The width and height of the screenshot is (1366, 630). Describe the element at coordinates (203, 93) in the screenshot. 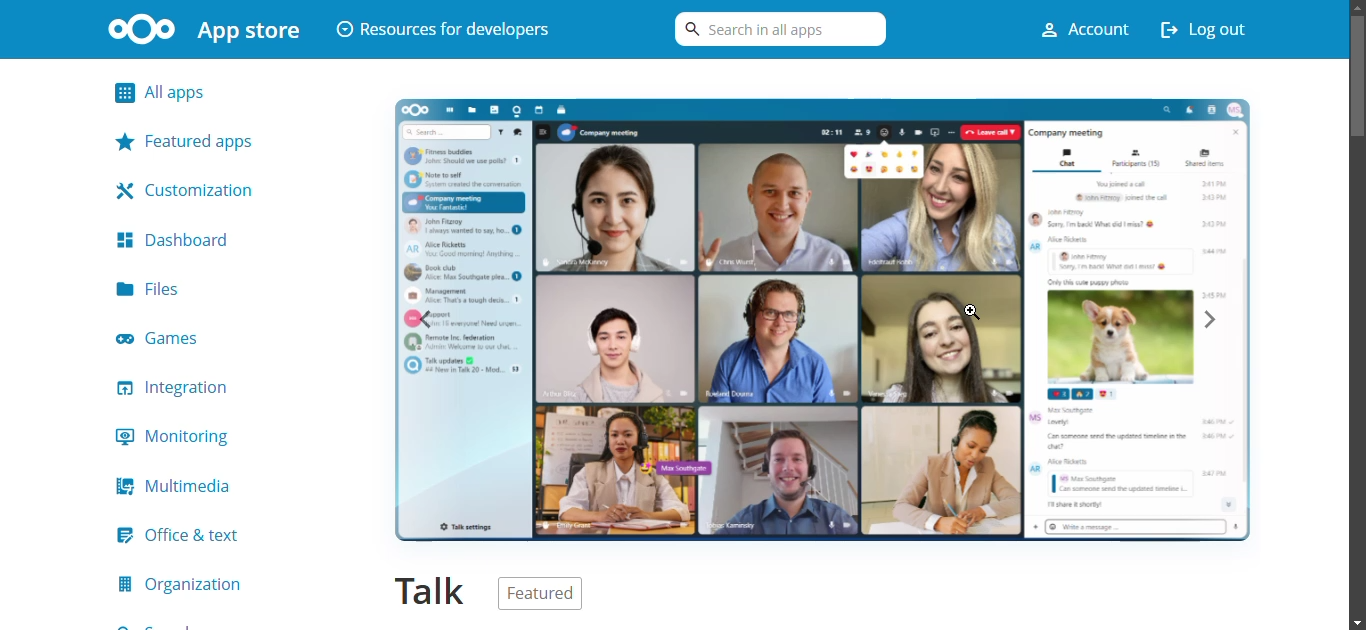

I see `all apps` at that location.